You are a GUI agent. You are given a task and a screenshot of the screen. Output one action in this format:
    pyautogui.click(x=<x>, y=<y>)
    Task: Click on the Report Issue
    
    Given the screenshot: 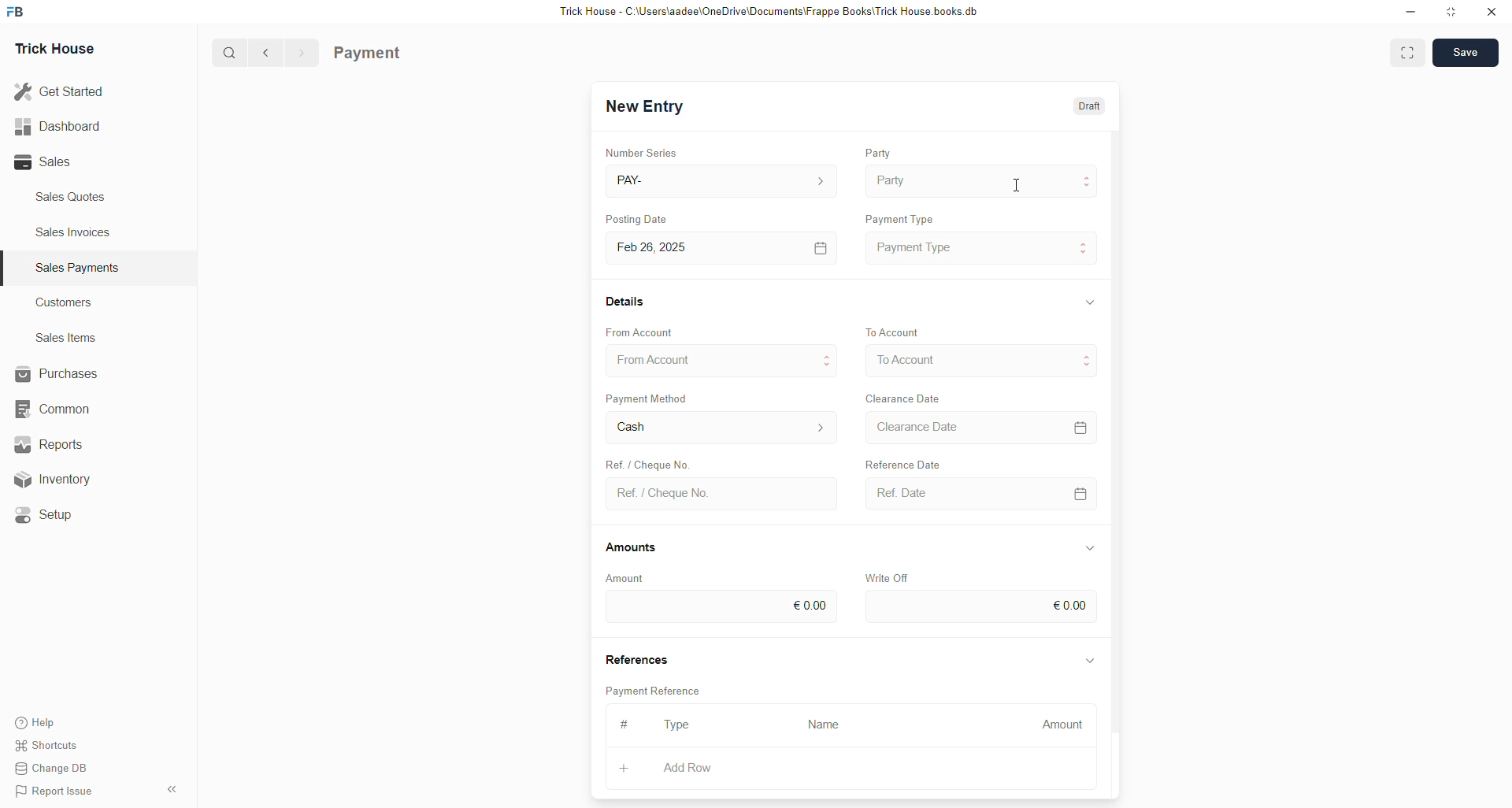 What is the action you would take?
    pyautogui.click(x=57, y=791)
    